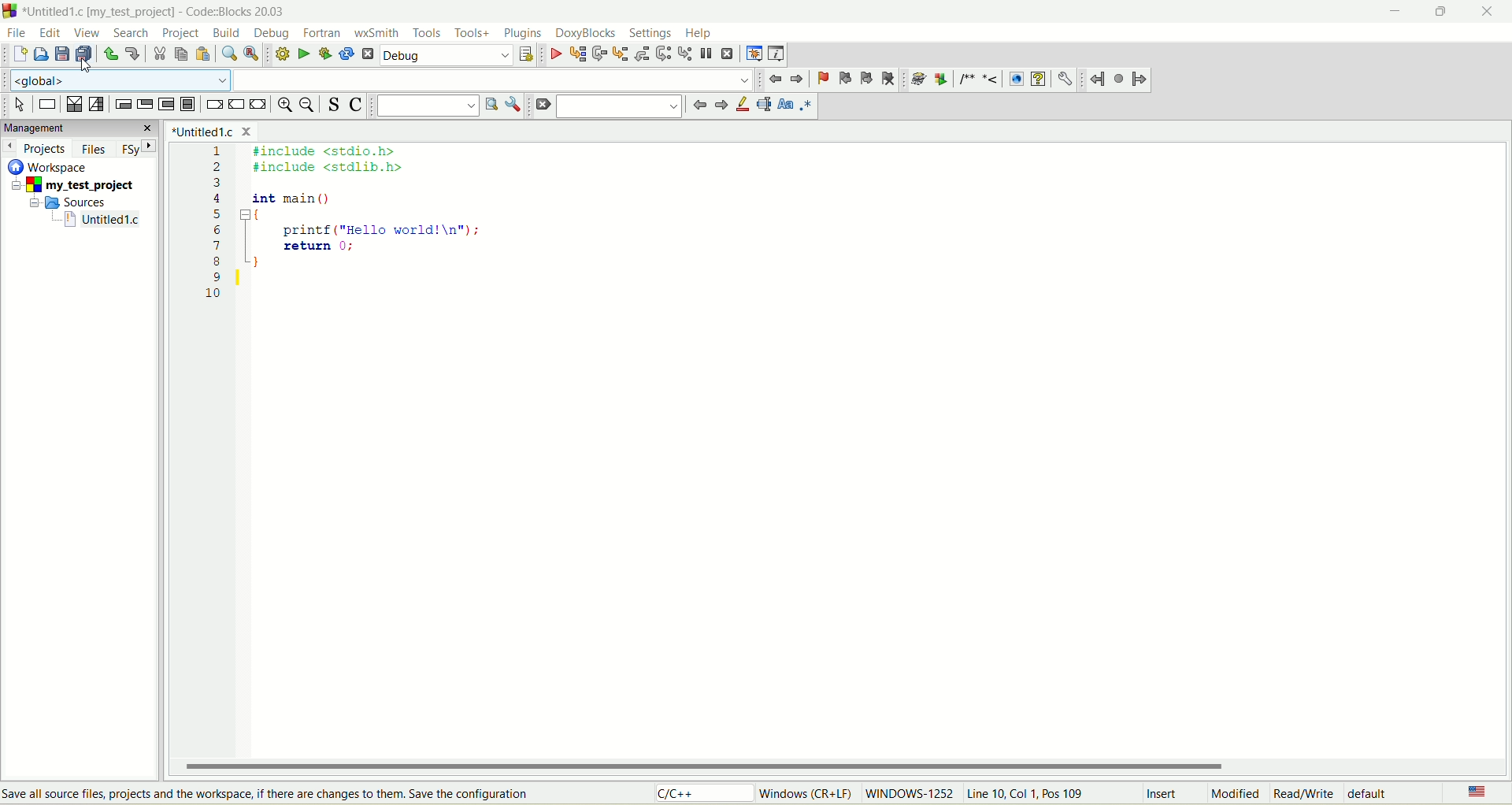 The image size is (1512, 805). Describe the element at coordinates (74, 106) in the screenshot. I see `decision` at that location.